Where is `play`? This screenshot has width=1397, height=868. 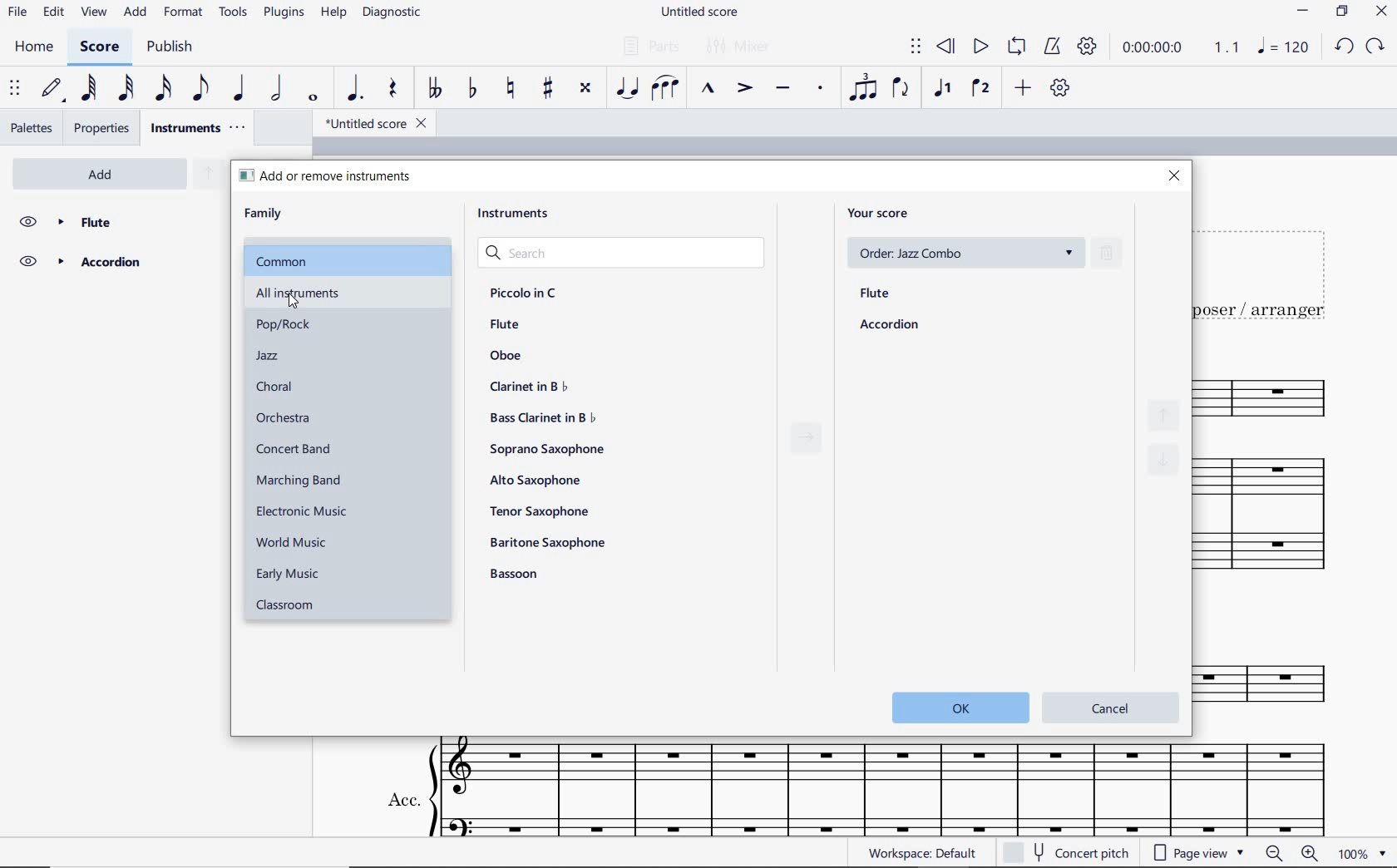
play is located at coordinates (980, 49).